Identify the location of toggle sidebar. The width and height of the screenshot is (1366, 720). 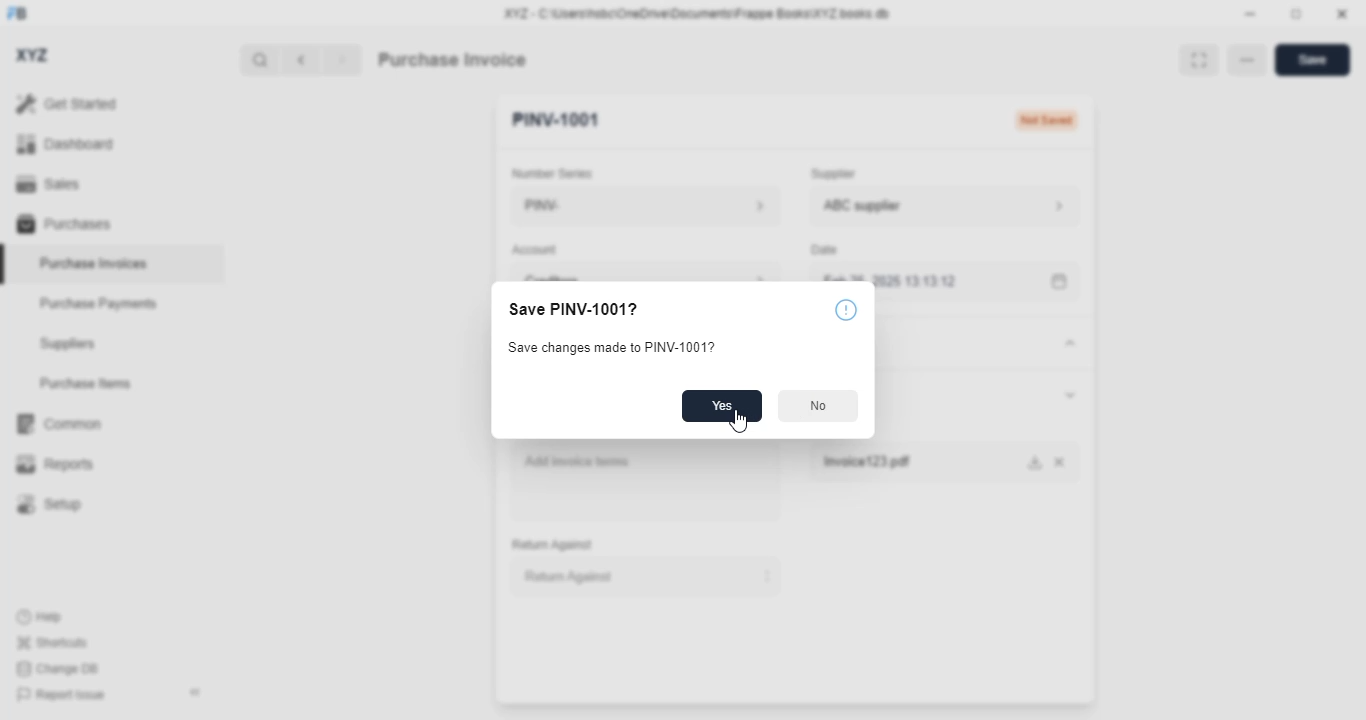
(198, 692).